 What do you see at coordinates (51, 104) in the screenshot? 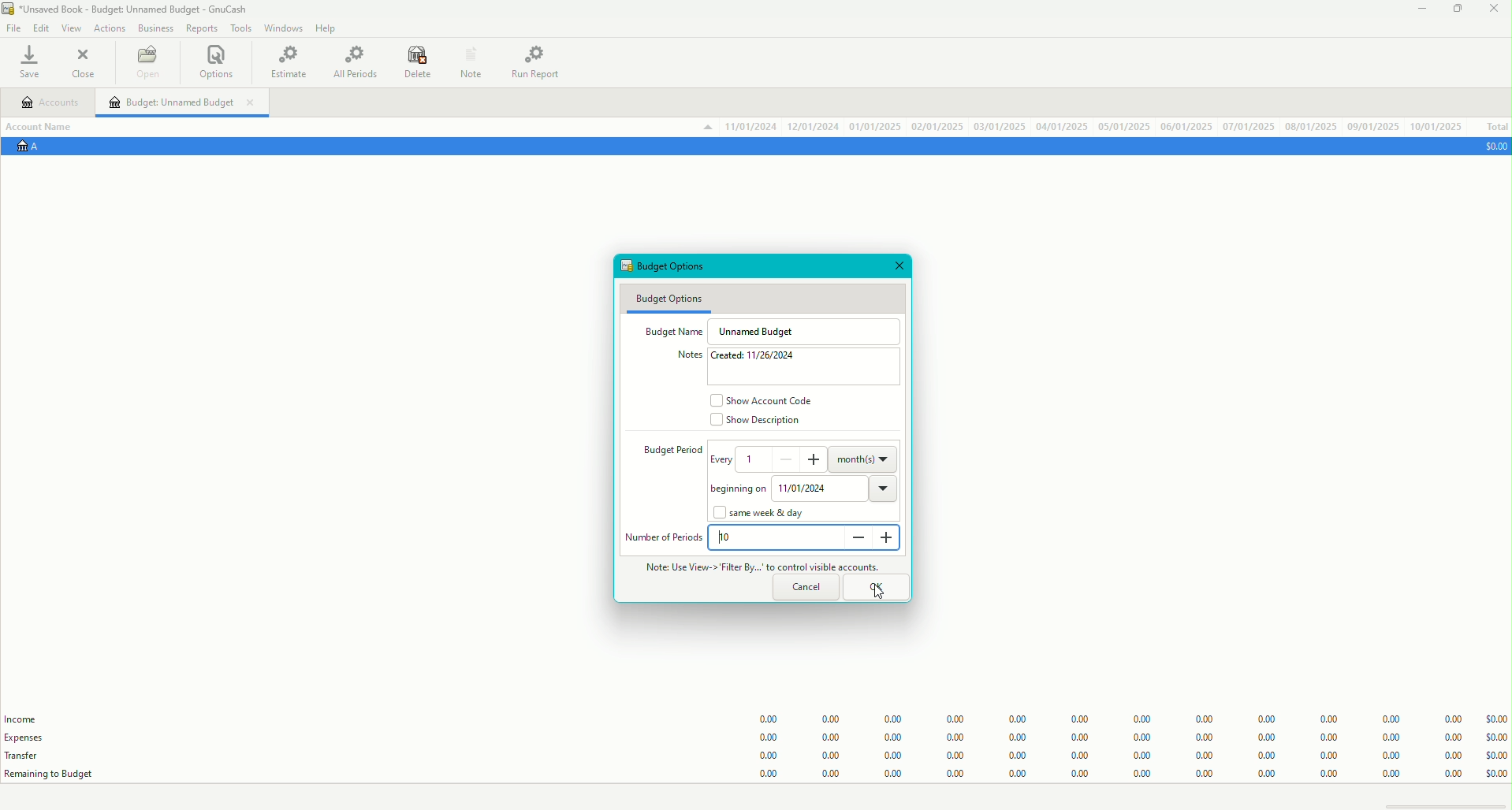
I see `Accounts` at bounding box center [51, 104].